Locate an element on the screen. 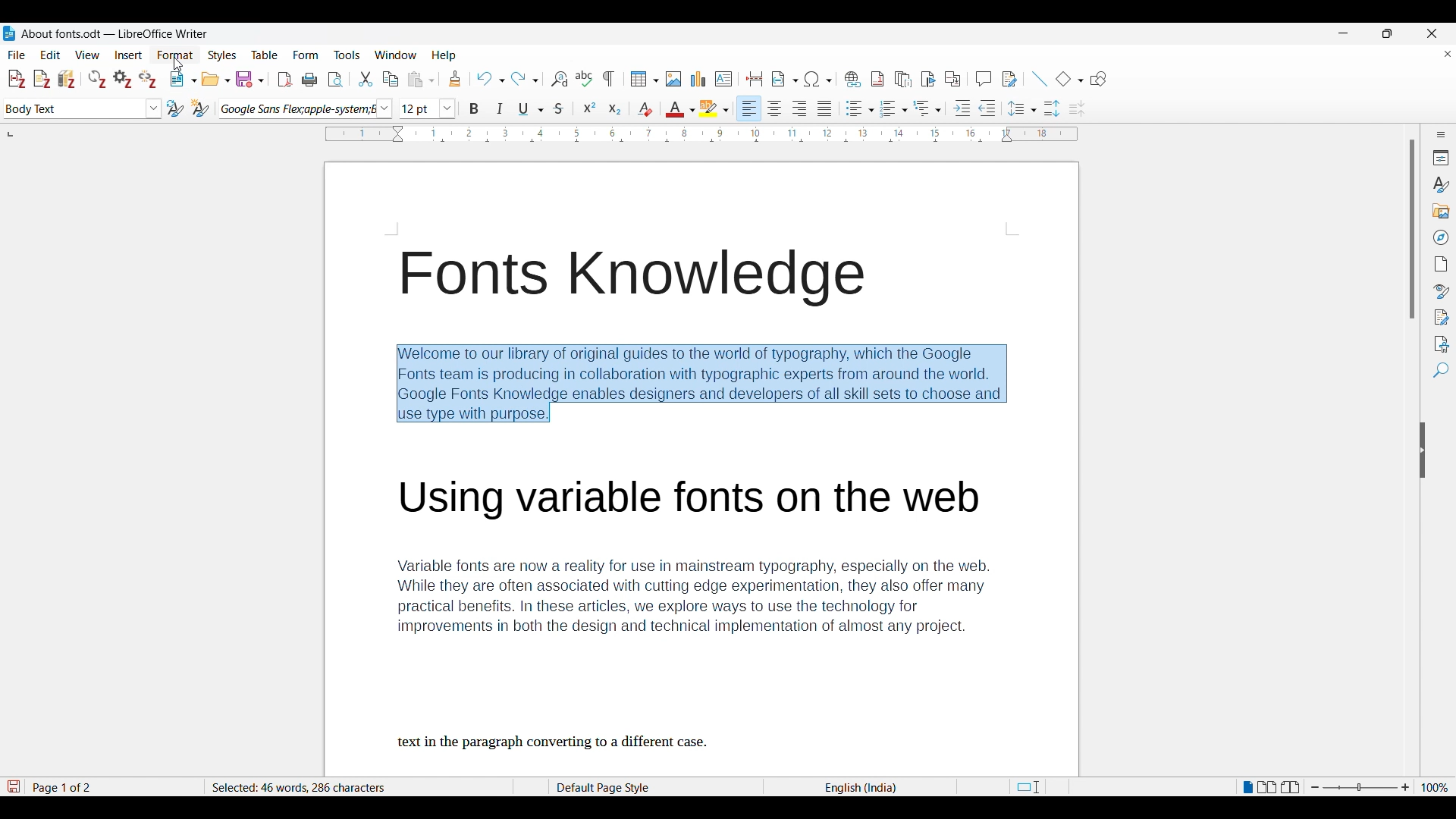 The width and height of the screenshot is (1456, 819). Set line spacing options is located at coordinates (1022, 108).